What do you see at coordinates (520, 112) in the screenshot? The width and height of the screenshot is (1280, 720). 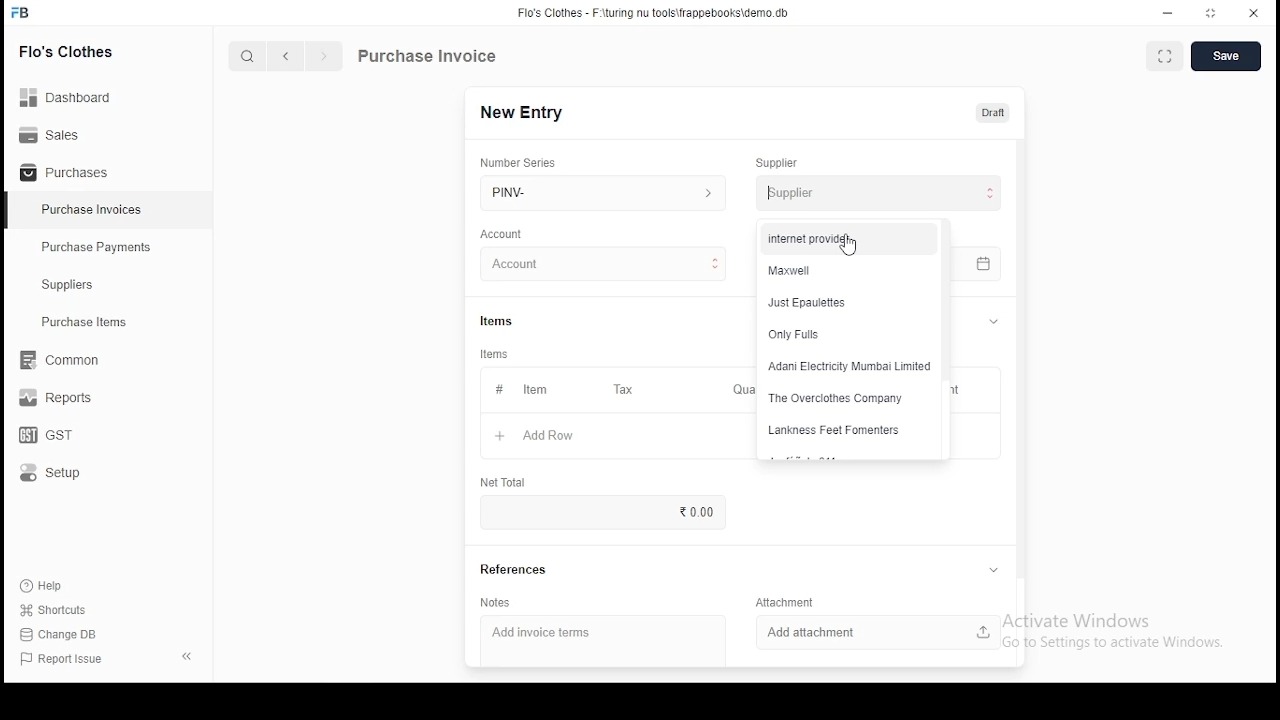 I see `new entry` at bounding box center [520, 112].